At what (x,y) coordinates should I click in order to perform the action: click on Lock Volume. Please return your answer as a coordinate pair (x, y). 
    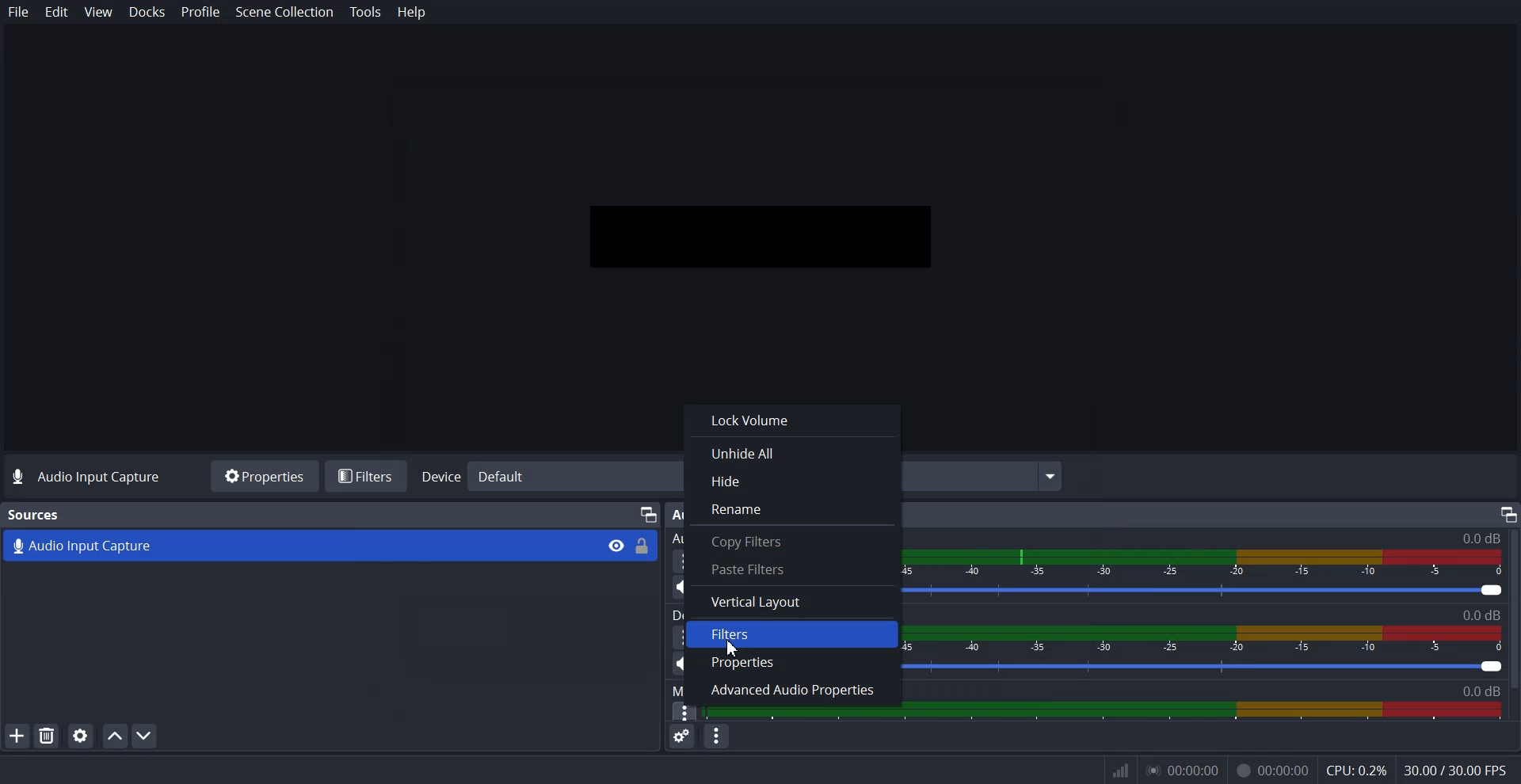
    Looking at the image, I should click on (800, 420).